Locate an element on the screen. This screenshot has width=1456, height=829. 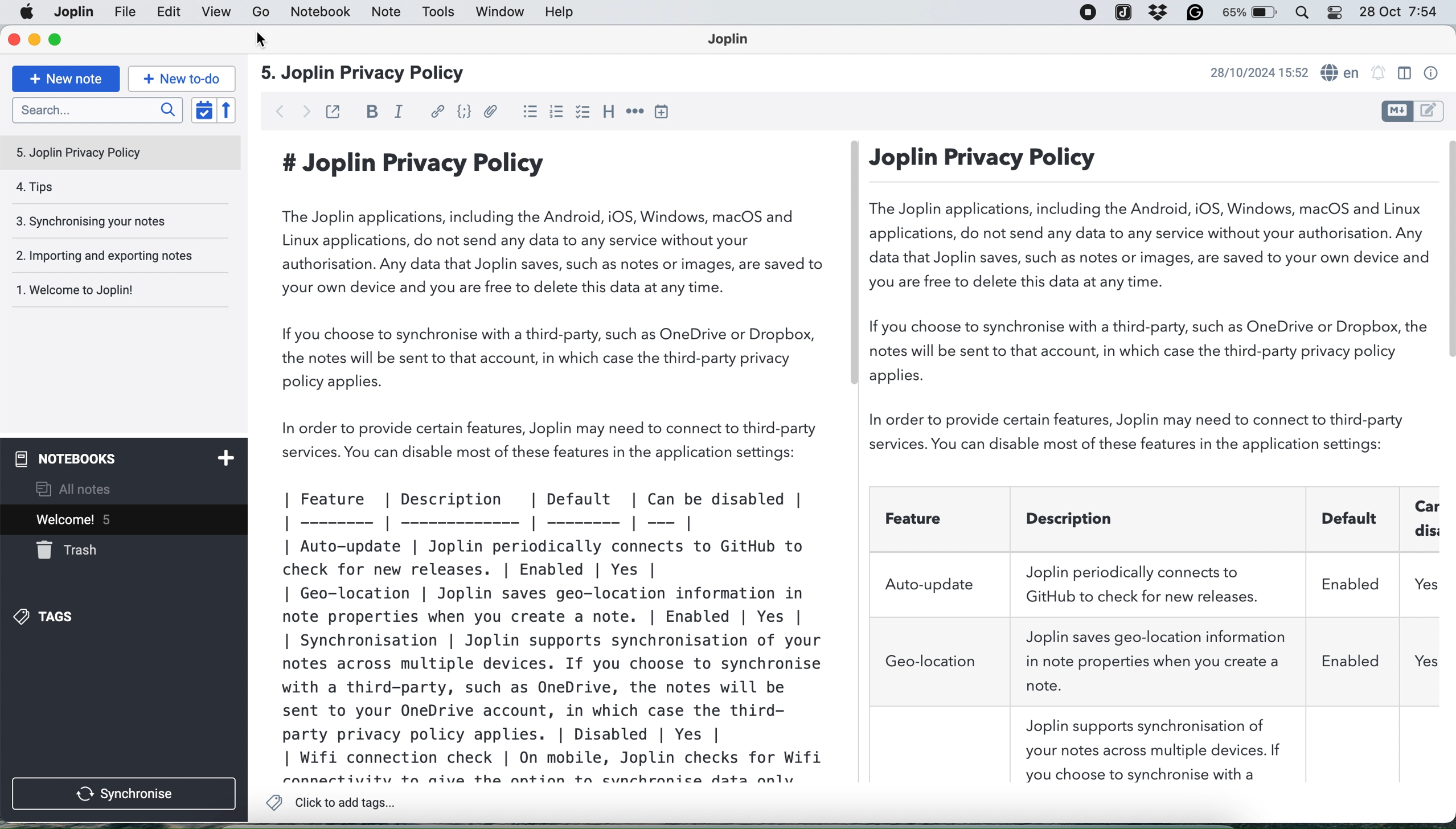
bulleted list is located at coordinates (530, 112).